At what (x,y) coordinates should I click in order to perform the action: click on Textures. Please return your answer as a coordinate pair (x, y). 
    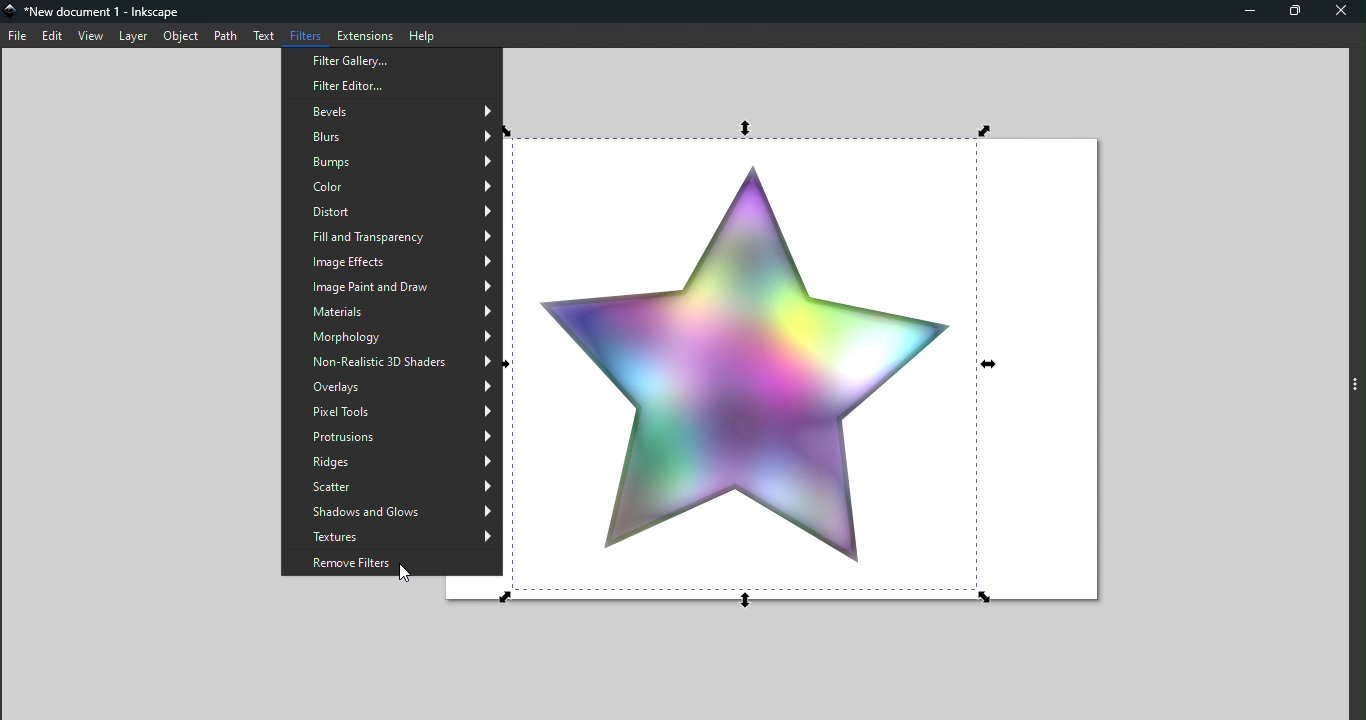
    Looking at the image, I should click on (394, 538).